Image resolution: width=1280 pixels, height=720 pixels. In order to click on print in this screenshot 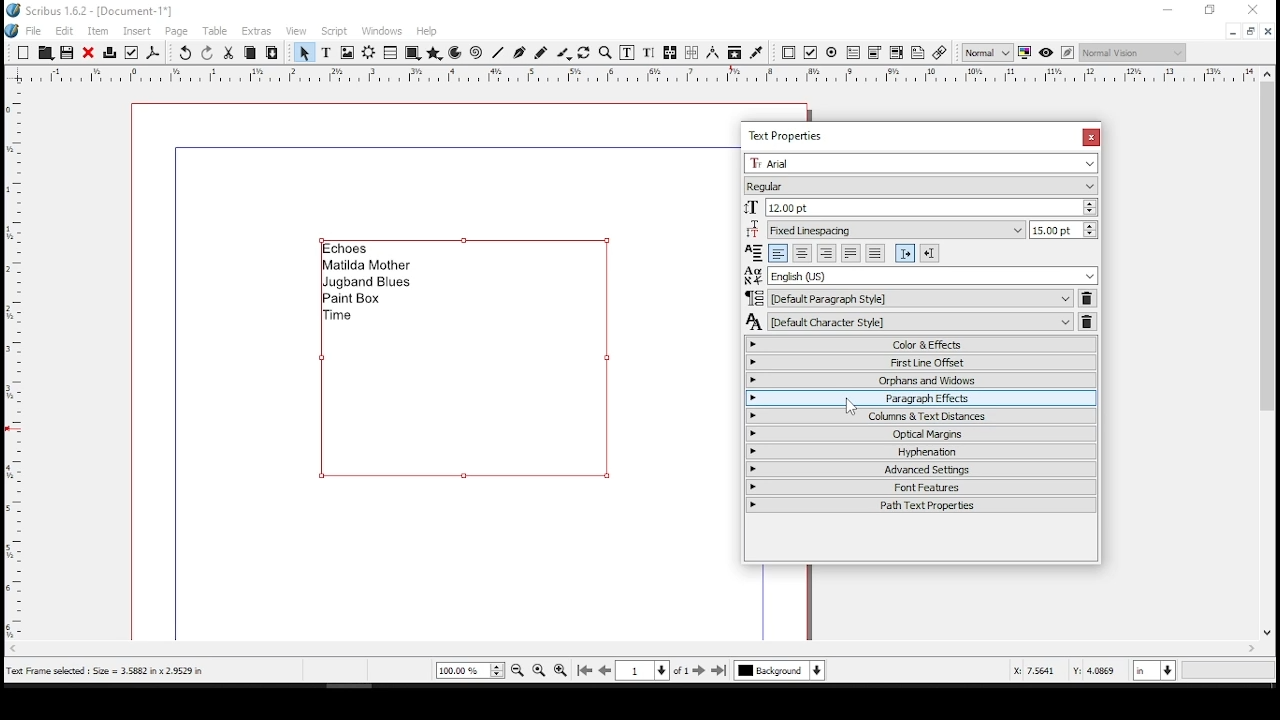, I will do `click(111, 51)`.